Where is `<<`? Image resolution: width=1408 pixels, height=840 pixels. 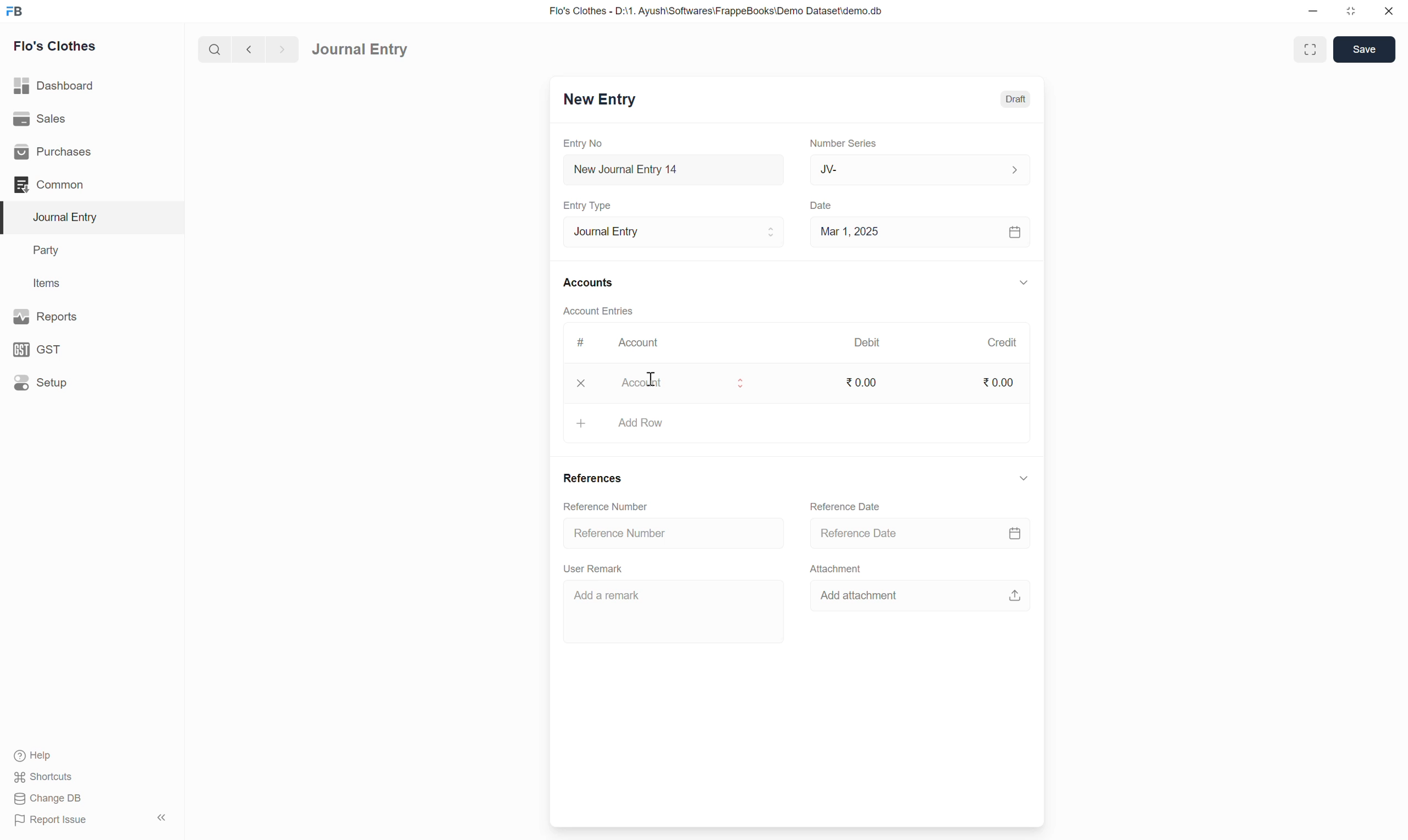
<< is located at coordinates (161, 818).